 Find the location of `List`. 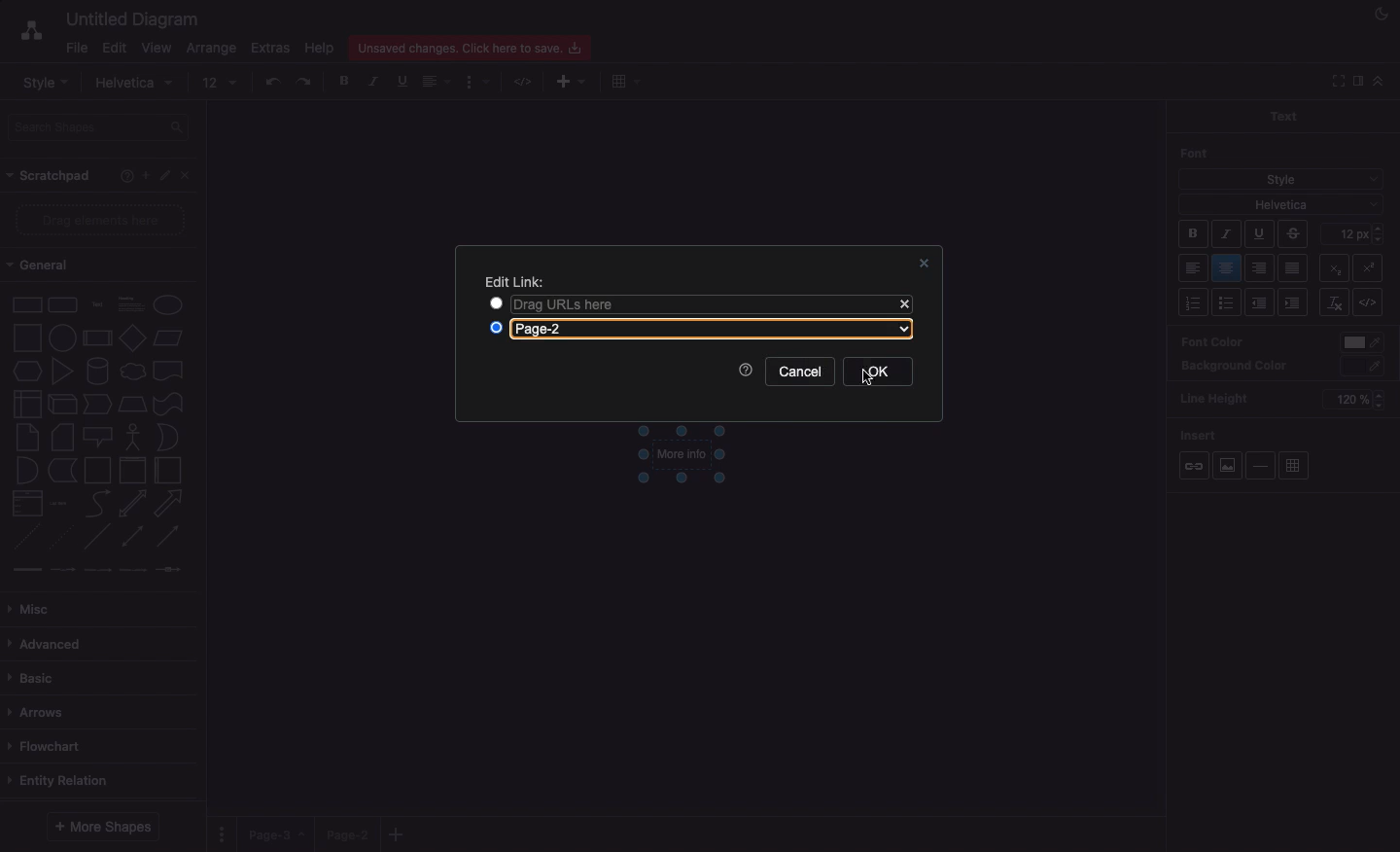

List is located at coordinates (1192, 302).